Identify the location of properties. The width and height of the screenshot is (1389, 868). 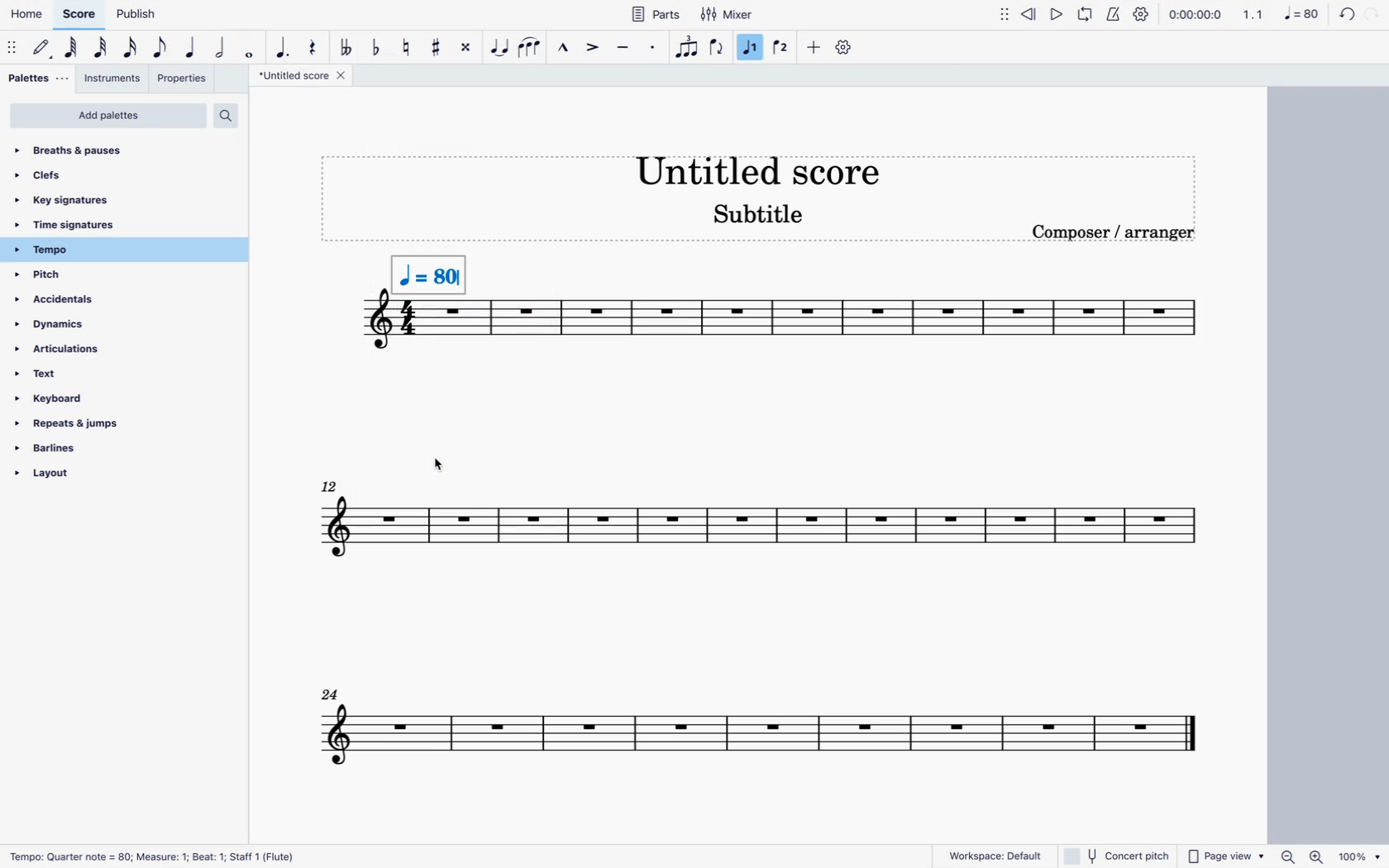
(181, 79).